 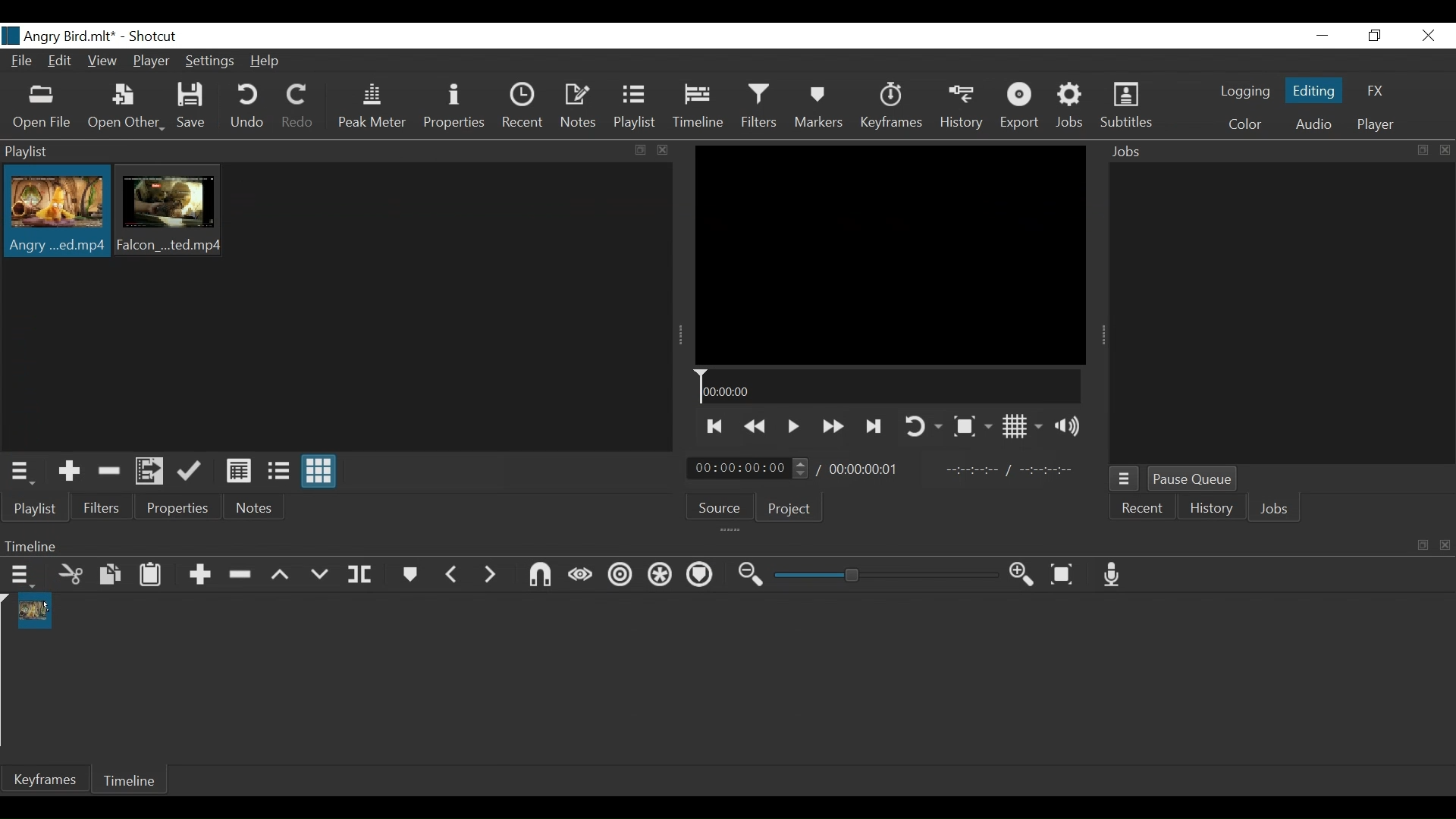 What do you see at coordinates (1372, 36) in the screenshot?
I see `Restore` at bounding box center [1372, 36].